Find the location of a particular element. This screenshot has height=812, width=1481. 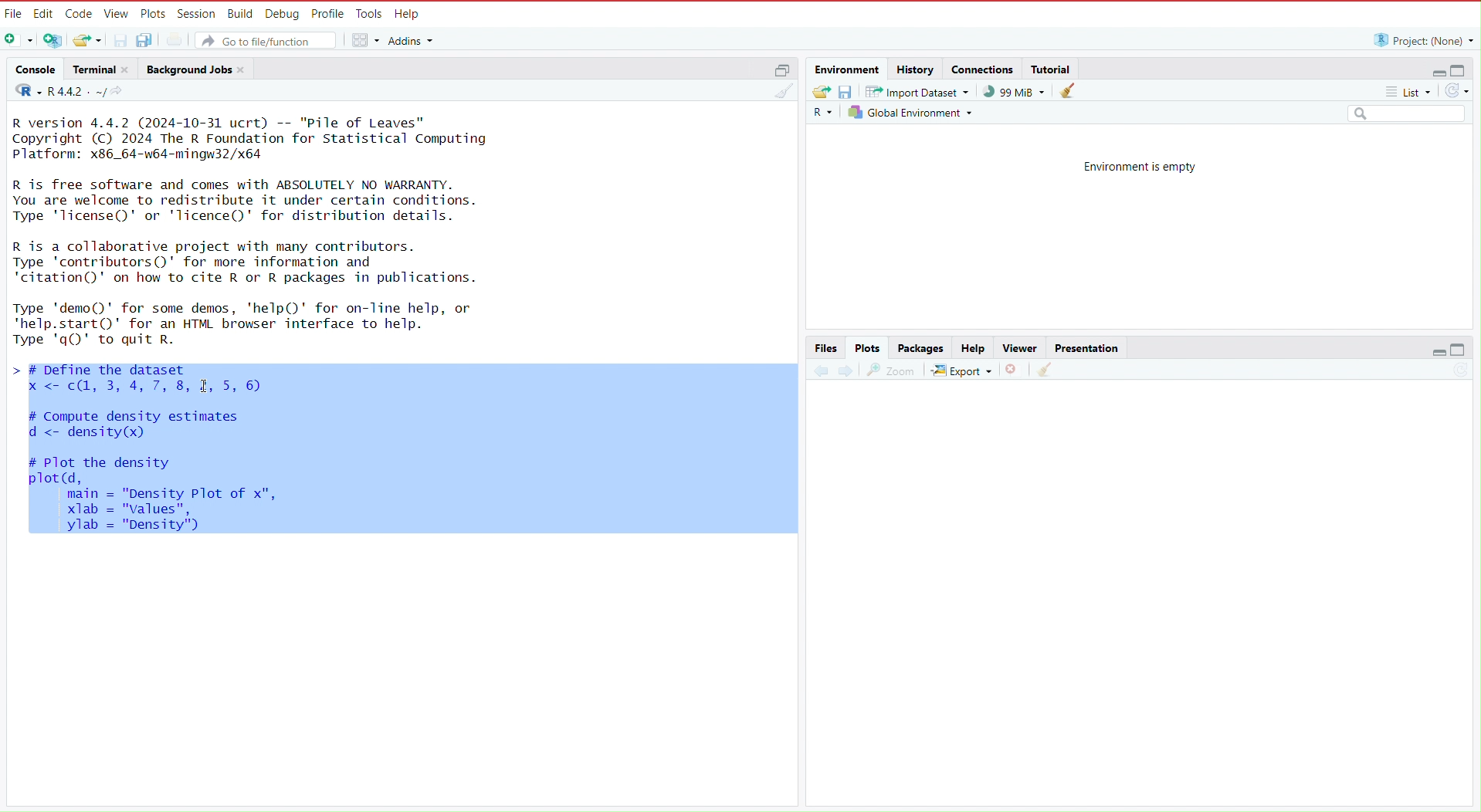

packages is located at coordinates (920, 347).